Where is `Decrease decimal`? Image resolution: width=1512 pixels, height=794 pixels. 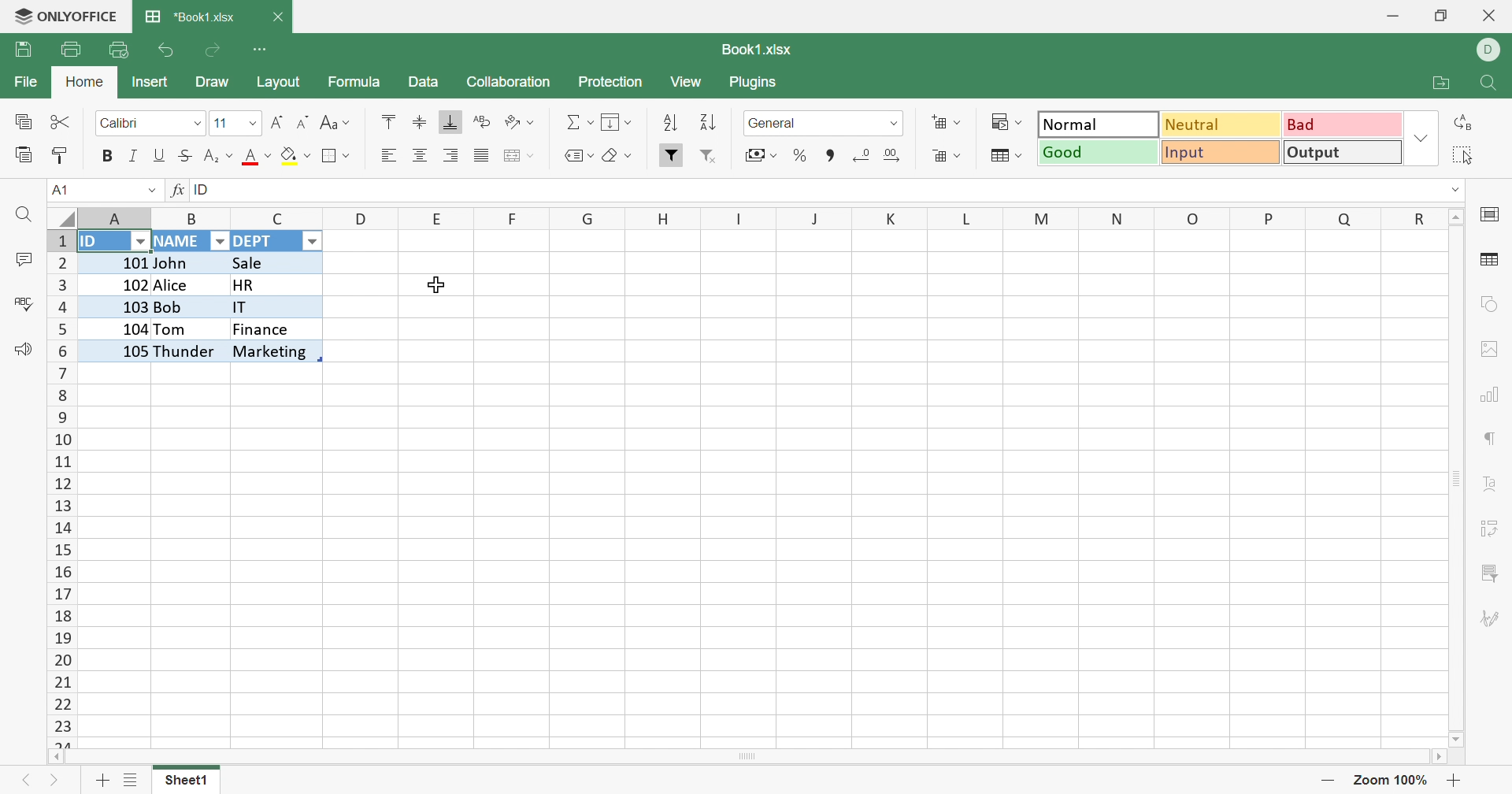 Decrease decimal is located at coordinates (862, 156).